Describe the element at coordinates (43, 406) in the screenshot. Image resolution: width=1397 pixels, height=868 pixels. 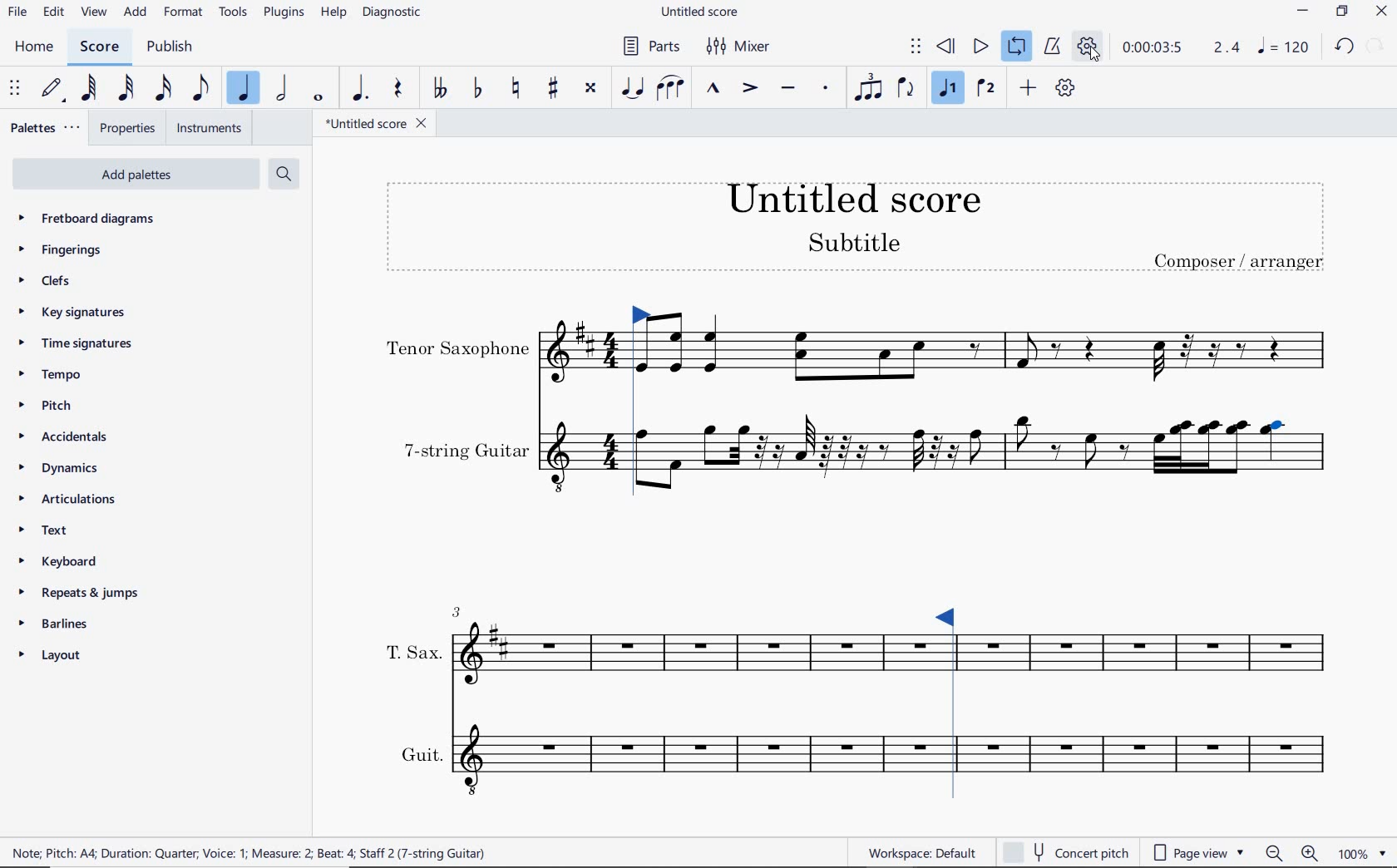
I see `PITCH` at that location.